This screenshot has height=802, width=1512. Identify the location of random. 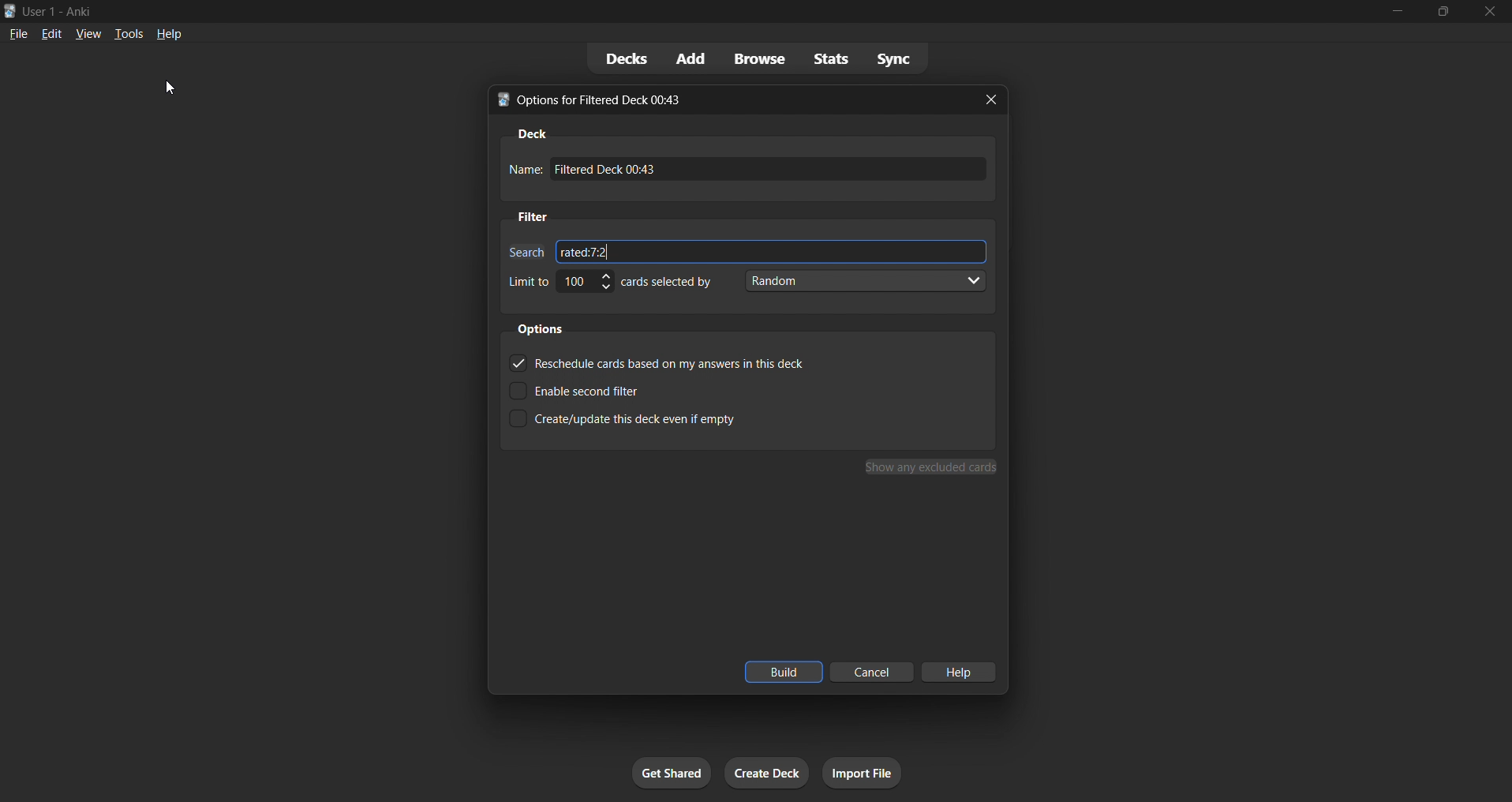
(867, 283).